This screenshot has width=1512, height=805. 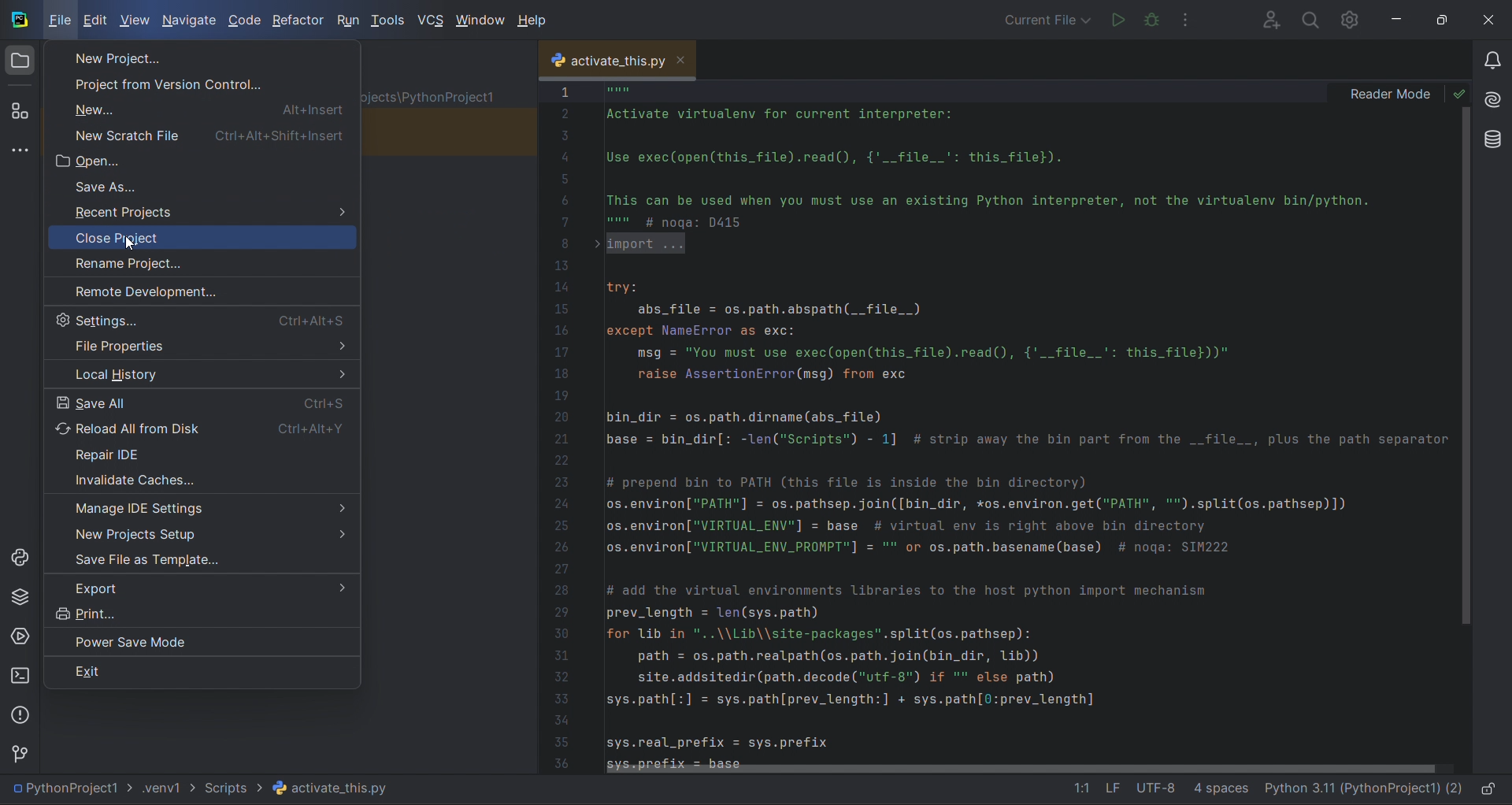 I want to click on vcs, so click(x=429, y=20).